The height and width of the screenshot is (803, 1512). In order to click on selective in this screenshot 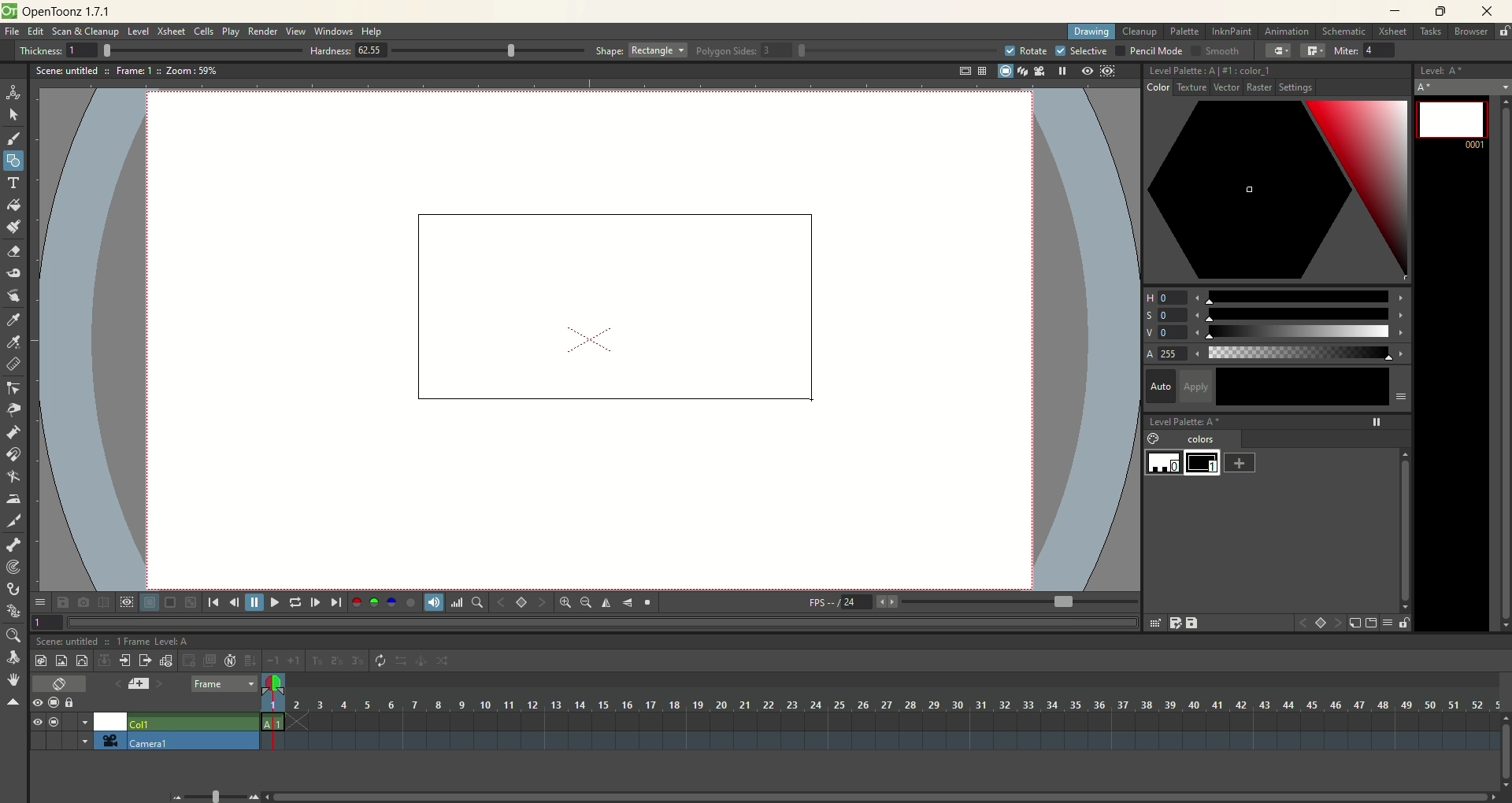, I will do `click(1082, 51)`.